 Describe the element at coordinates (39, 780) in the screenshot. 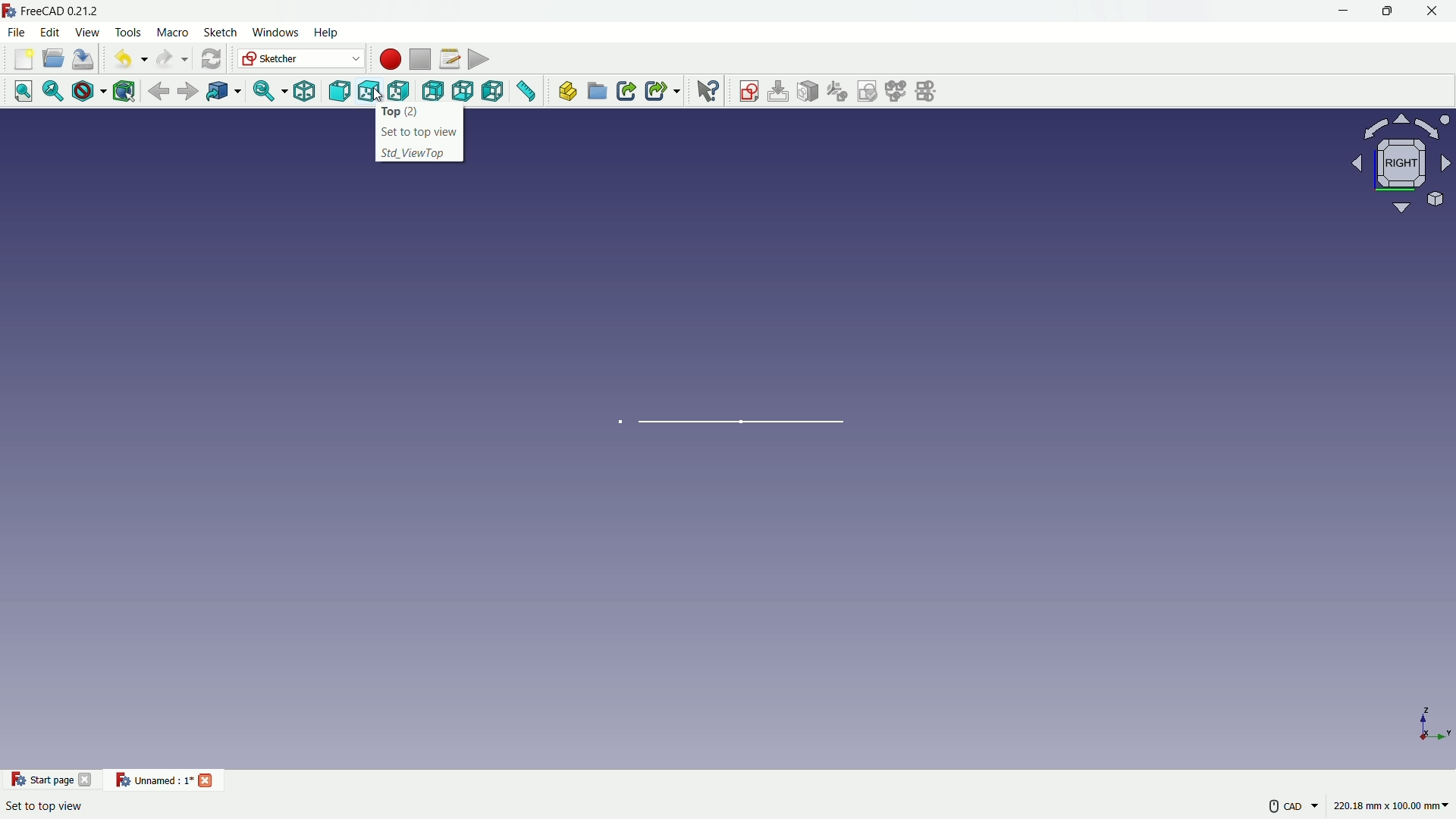

I see `start page` at that location.